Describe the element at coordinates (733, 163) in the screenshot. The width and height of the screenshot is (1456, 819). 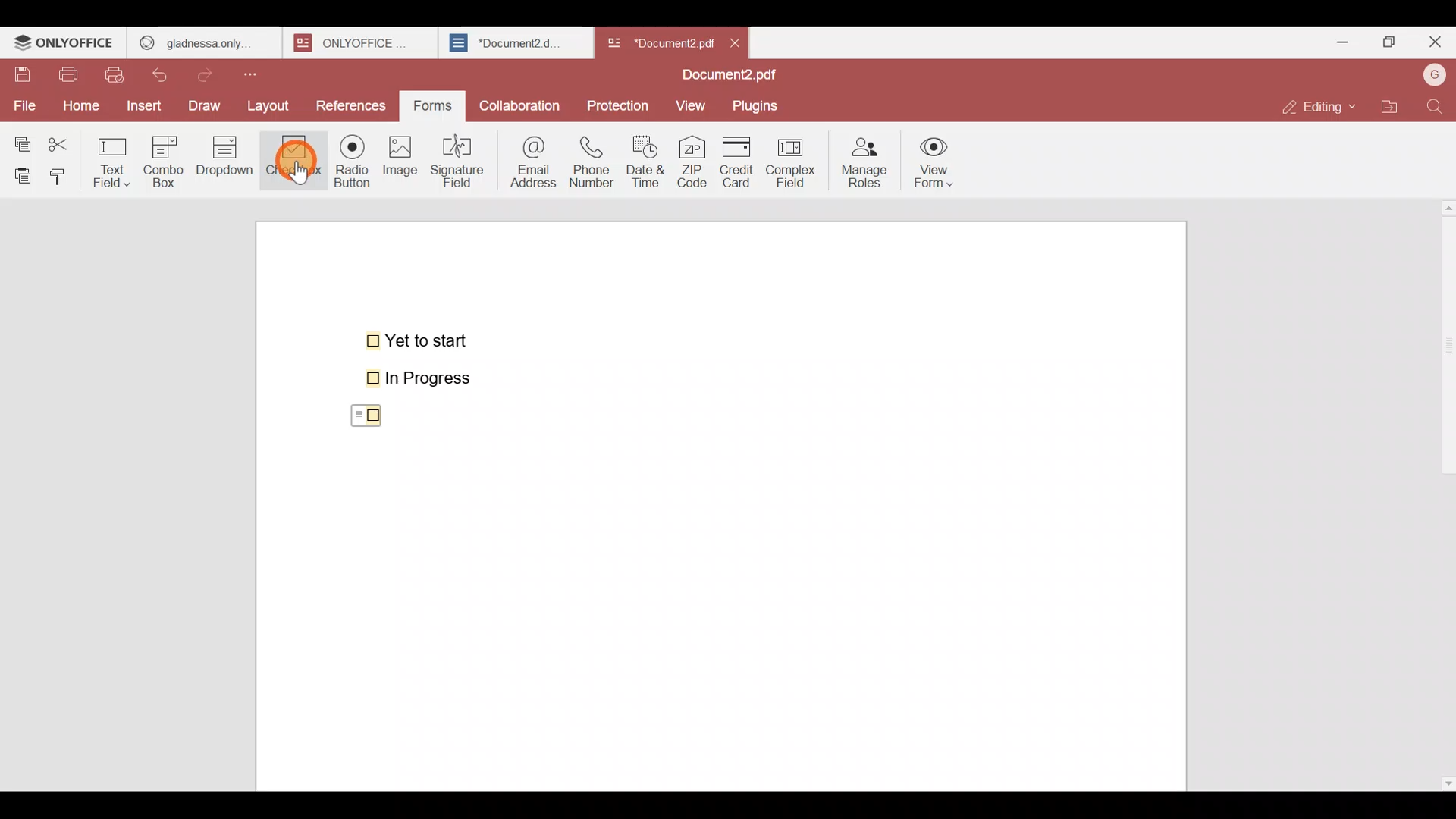
I see `Credit card` at that location.